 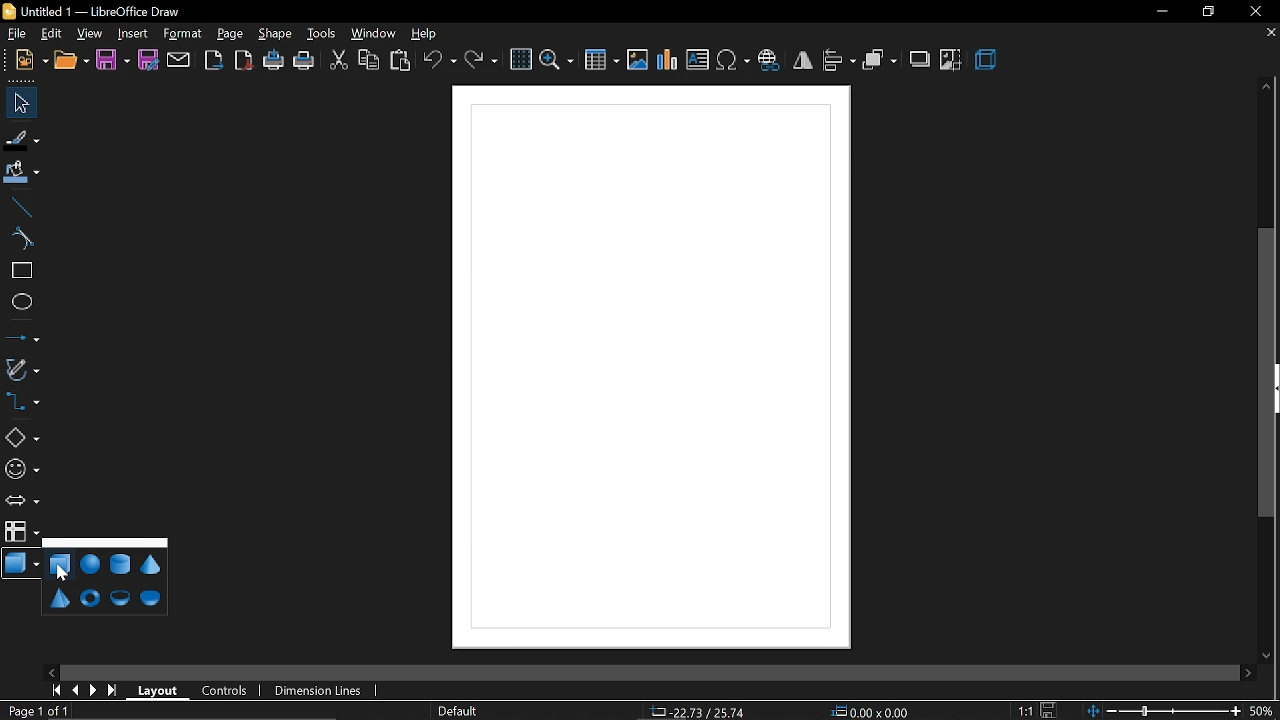 What do you see at coordinates (458, 711) in the screenshot?
I see `page style` at bounding box center [458, 711].